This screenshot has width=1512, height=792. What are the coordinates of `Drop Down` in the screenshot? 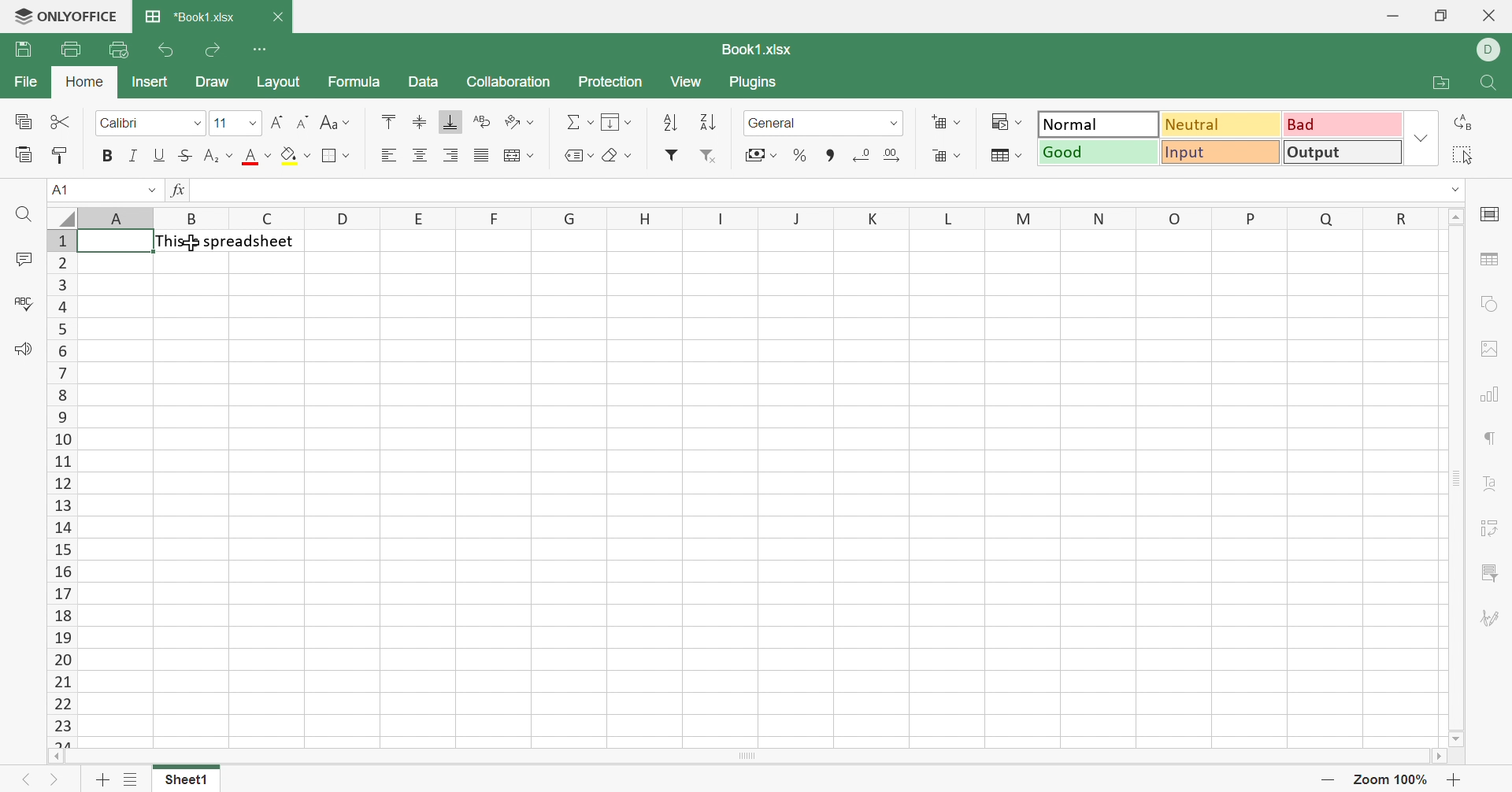 It's located at (1422, 137).